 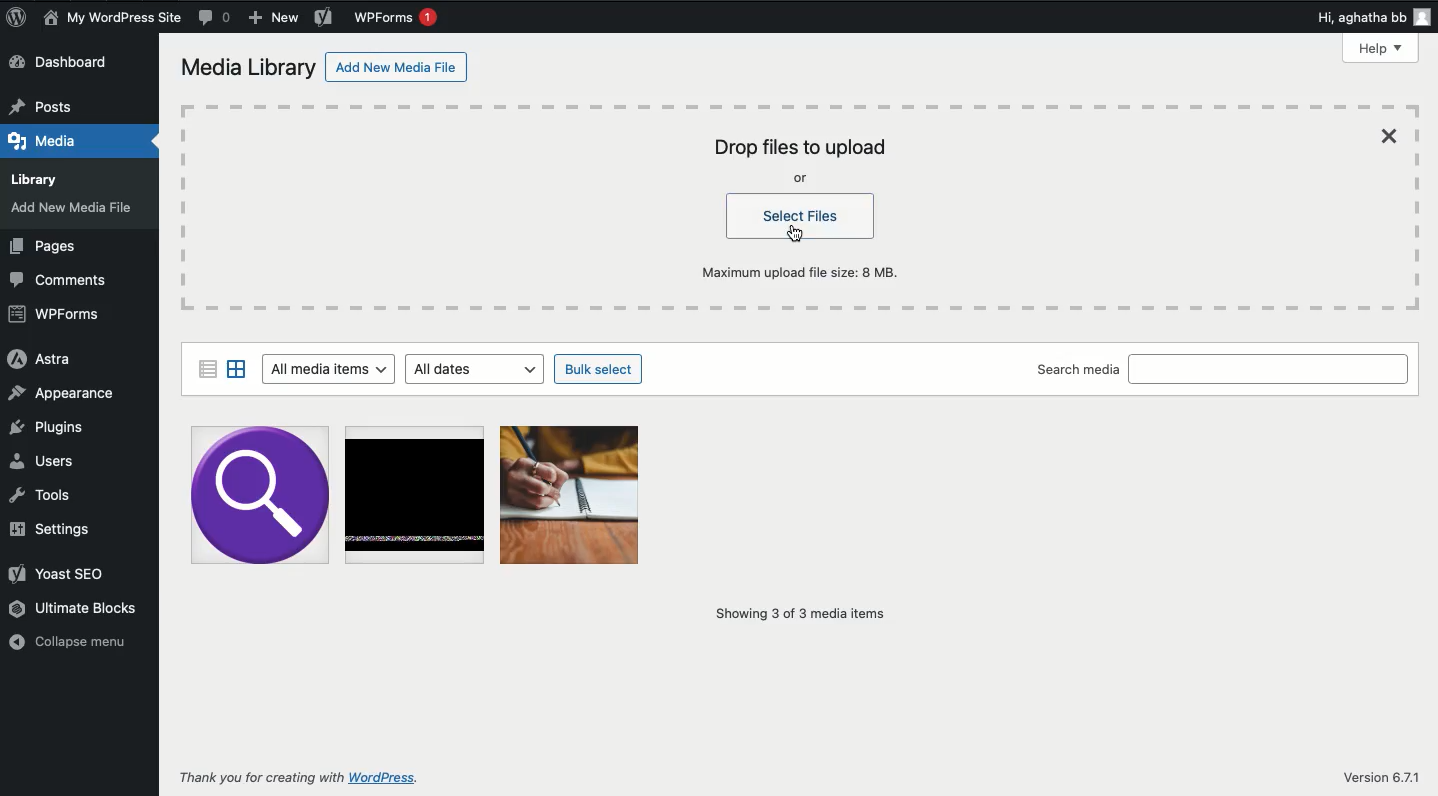 What do you see at coordinates (76, 211) in the screenshot?
I see `Add new media` at bounding box center [76, 211].